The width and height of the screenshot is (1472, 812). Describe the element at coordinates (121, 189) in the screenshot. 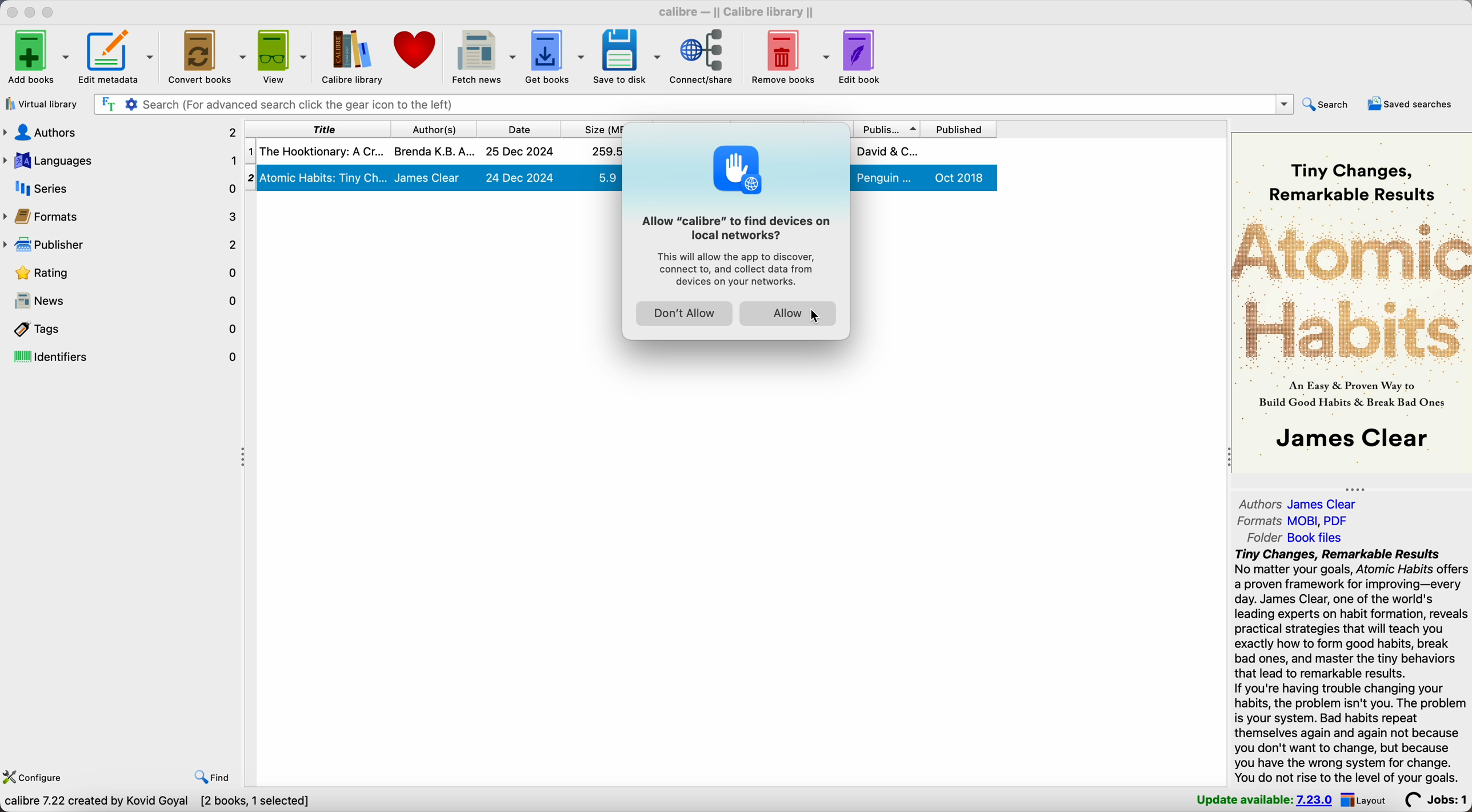

I see `series` at that location.